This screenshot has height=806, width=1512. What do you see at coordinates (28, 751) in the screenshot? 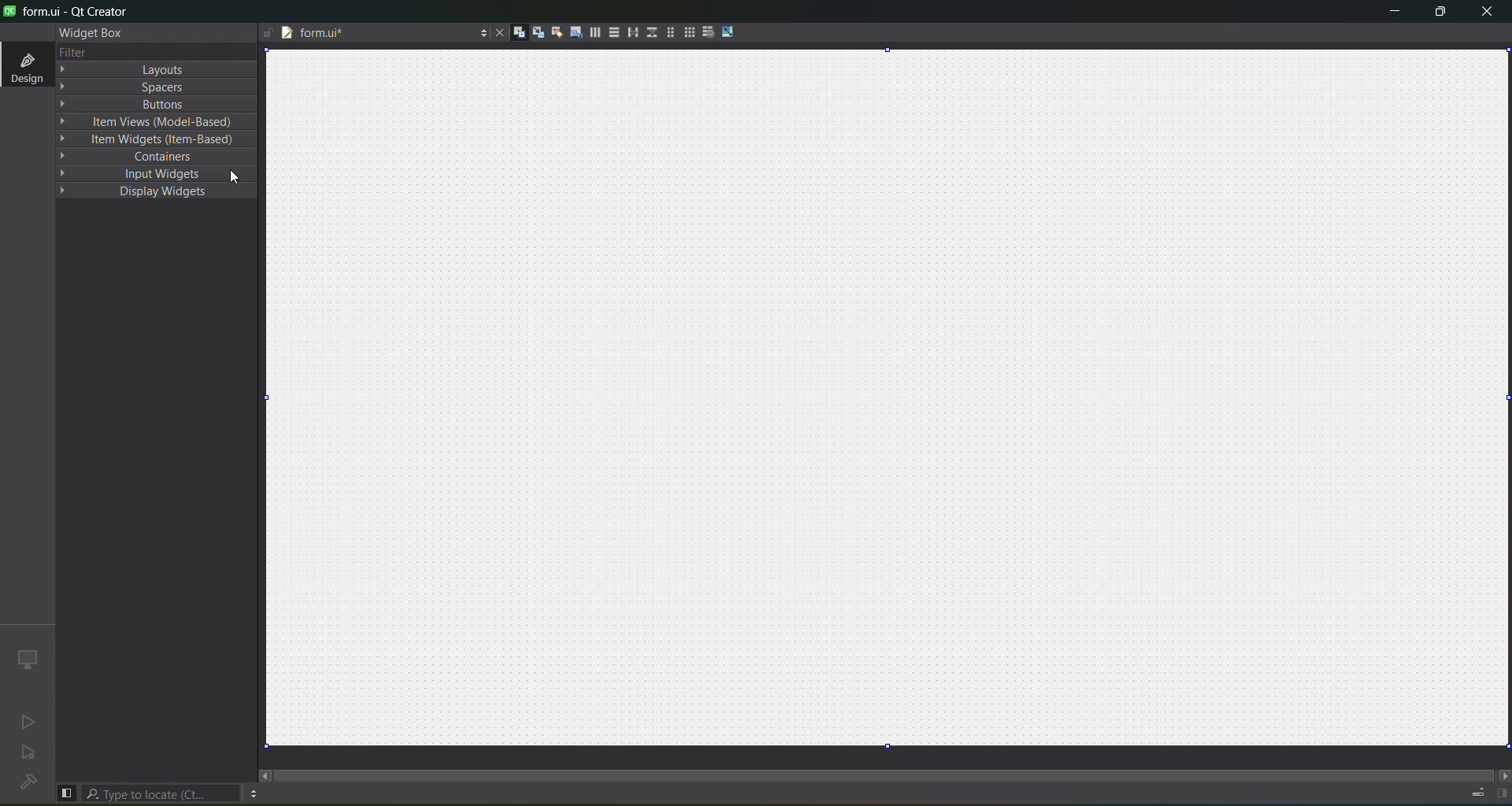
I see `no active project` at bounding box center [28, 751].